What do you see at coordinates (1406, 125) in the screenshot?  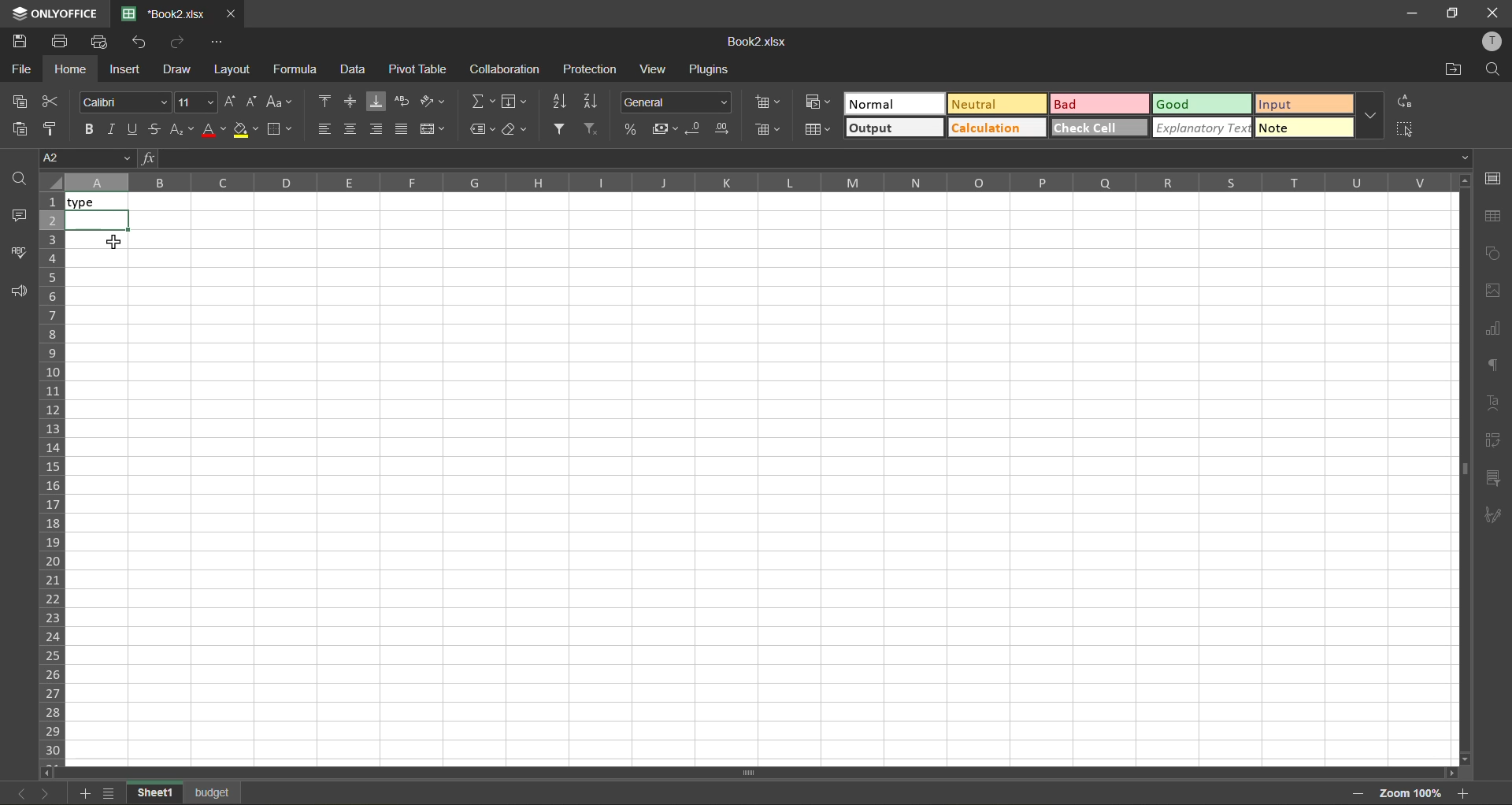 I see `select all` at bounding box center [1406, 125].